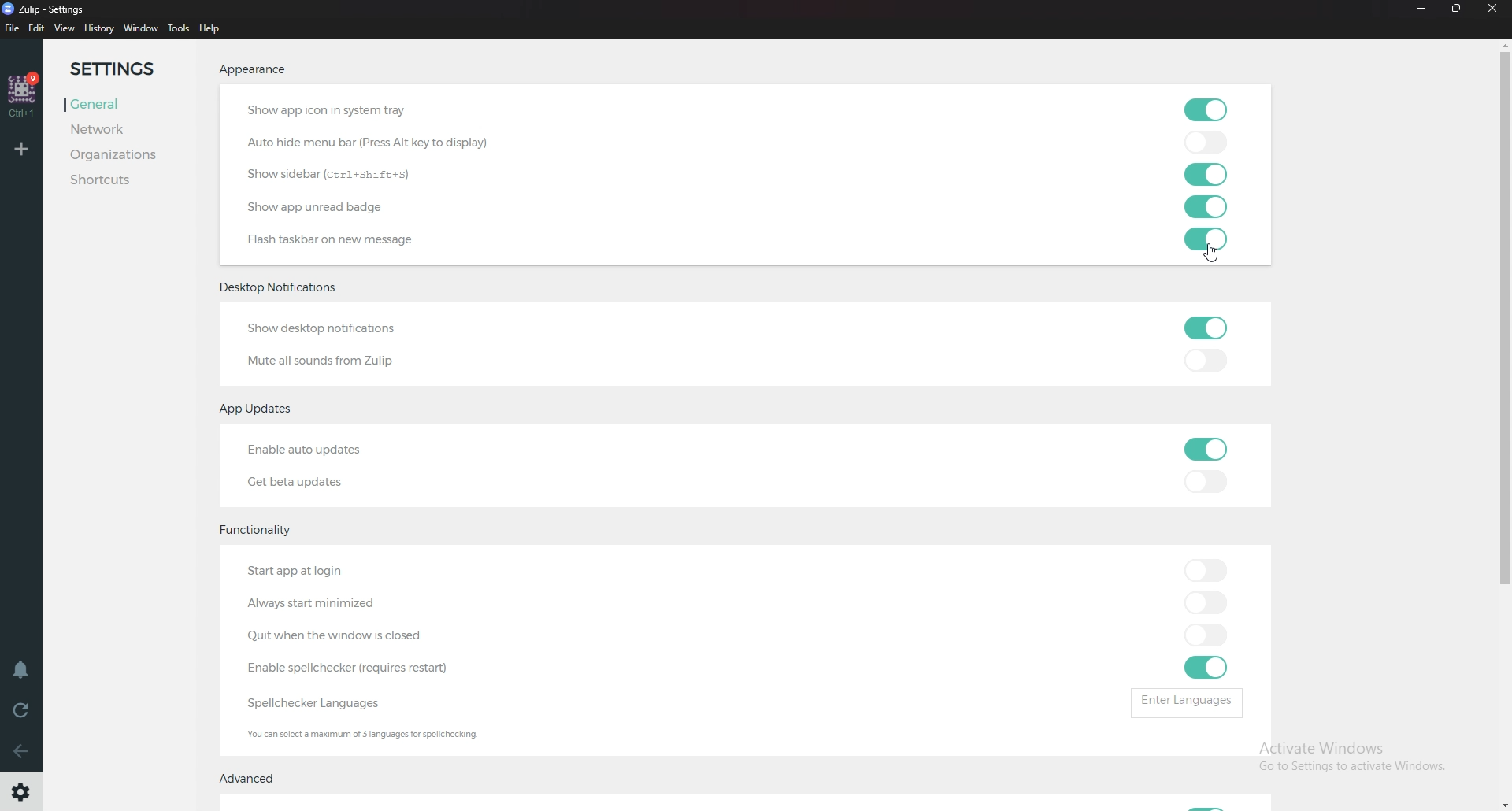 Image resolution: width=1512 pixels, height=811 pixels. What do you see at coordinates (1206, 667) in the screenshot?
I see `toggle` at bounding box center [1206, 667].